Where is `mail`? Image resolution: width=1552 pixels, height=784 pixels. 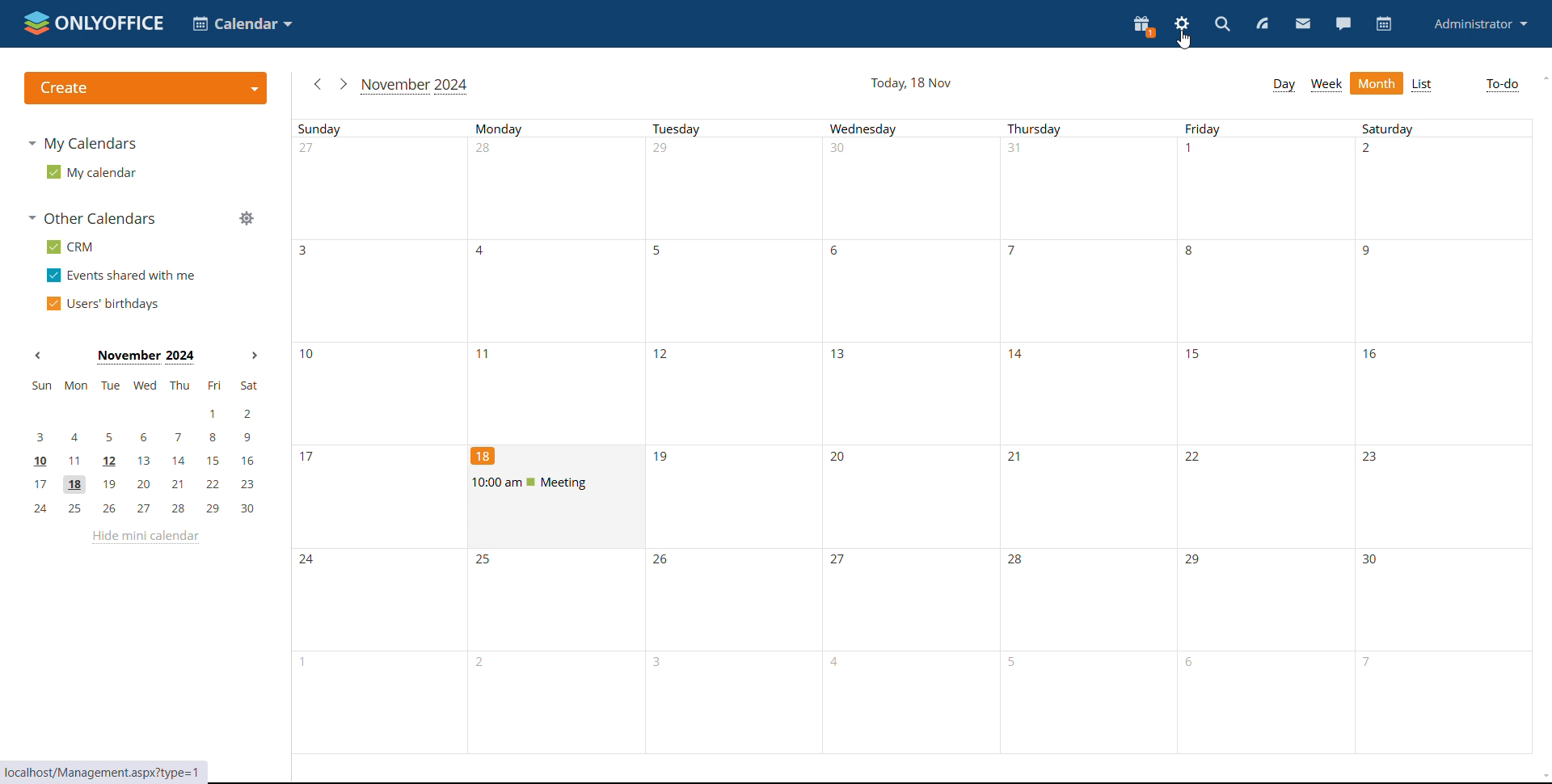
mail is located at coordinates (1303, 23).